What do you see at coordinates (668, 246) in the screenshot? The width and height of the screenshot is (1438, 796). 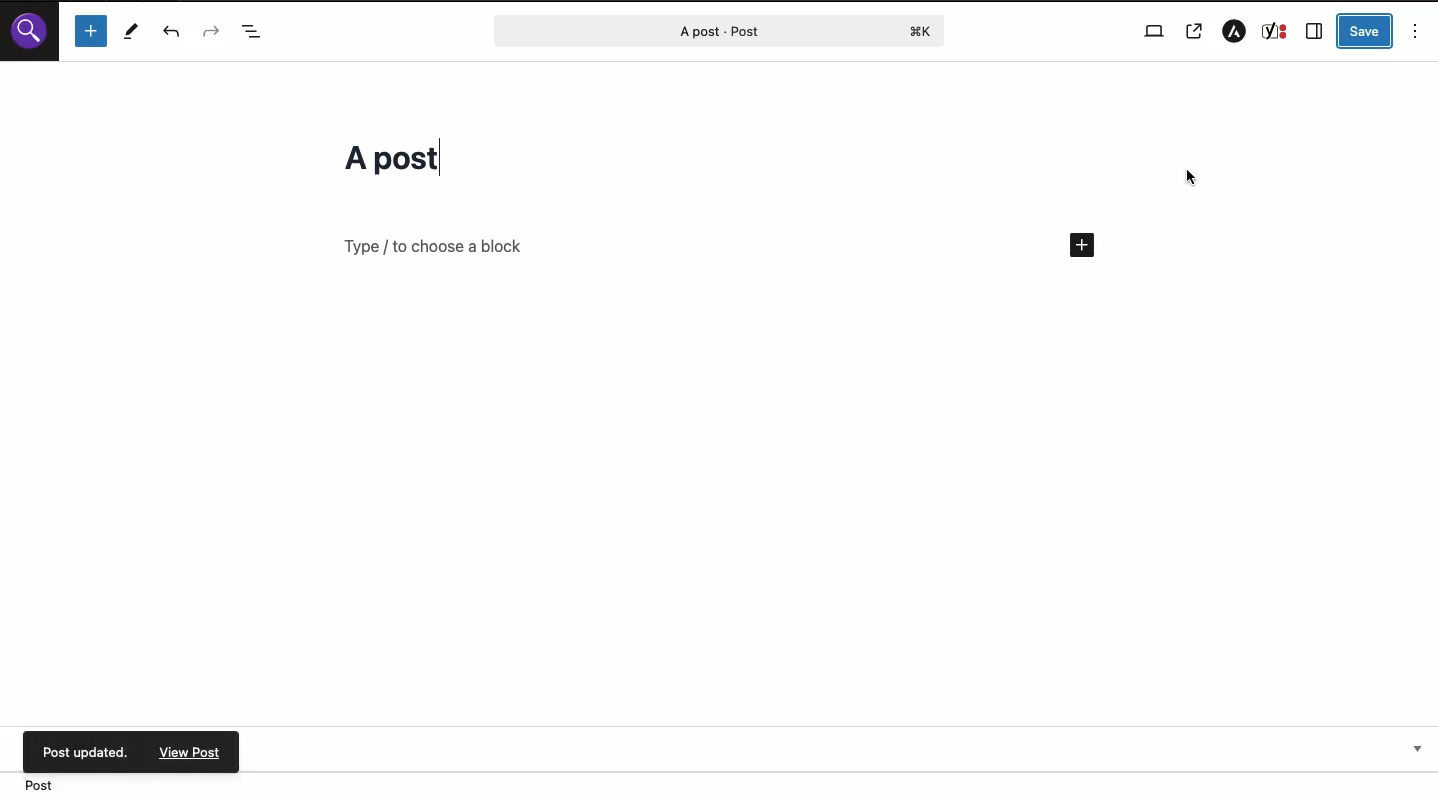 I see `Add block` at bounding box center [668, 246].